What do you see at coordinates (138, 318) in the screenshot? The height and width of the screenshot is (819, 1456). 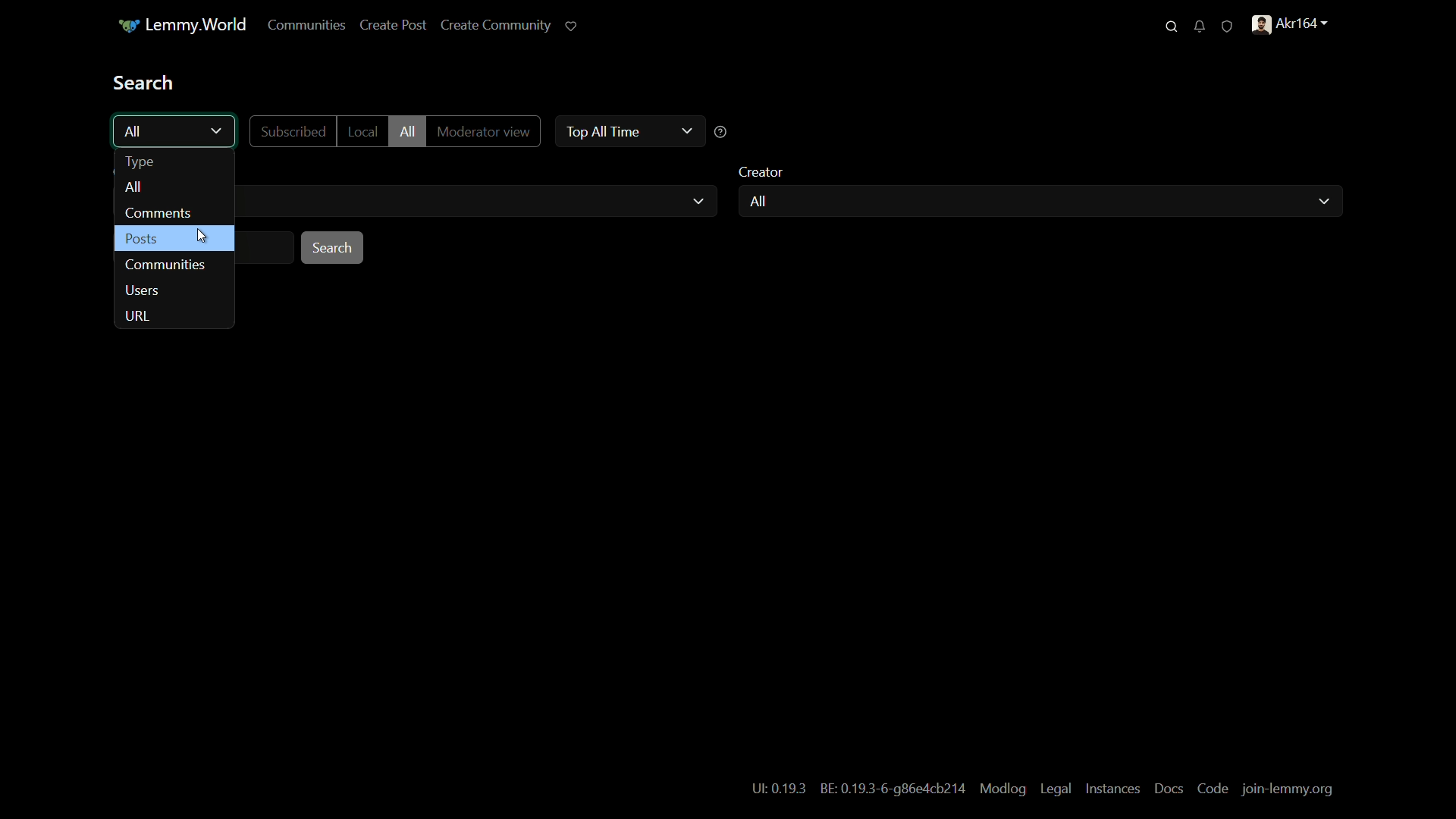 I see `url` at bounding box center [138, 318].